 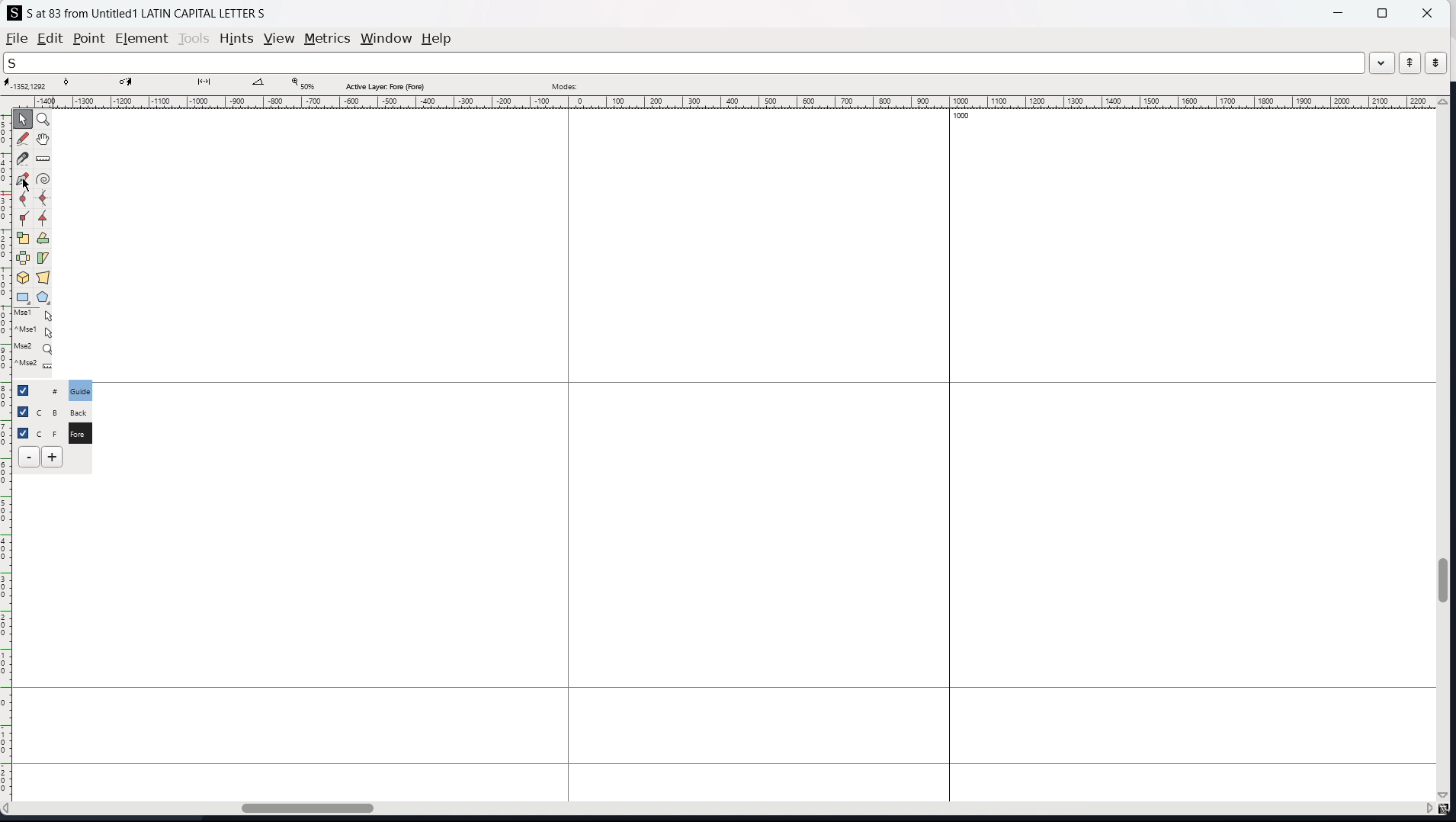 What do you see at coordinates (25, 85) in the screenshot?
I see `cursor coordinate` at bounding box center [25, 85].